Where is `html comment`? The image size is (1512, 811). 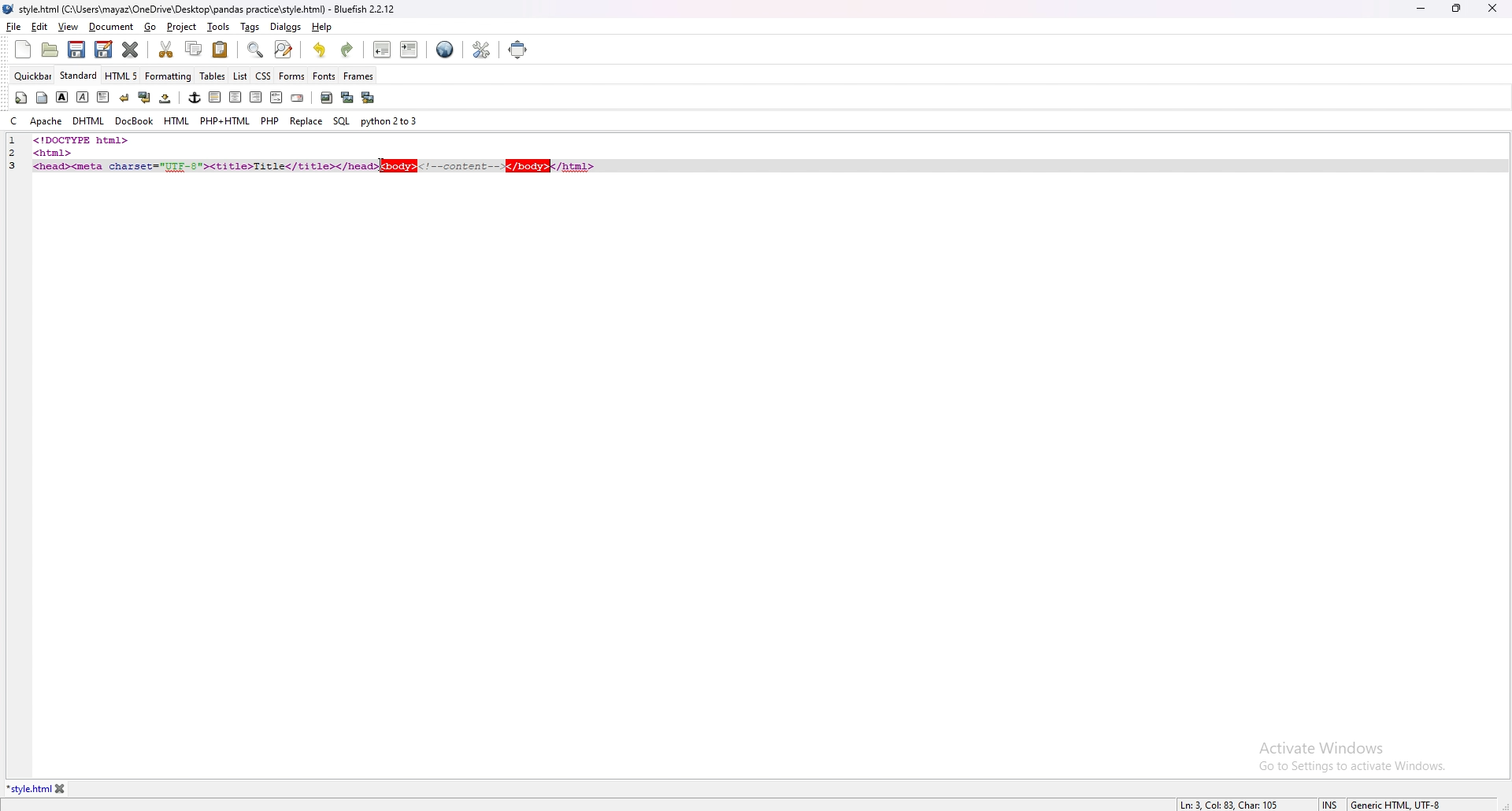 html comment is located at coordinates (276, 98).